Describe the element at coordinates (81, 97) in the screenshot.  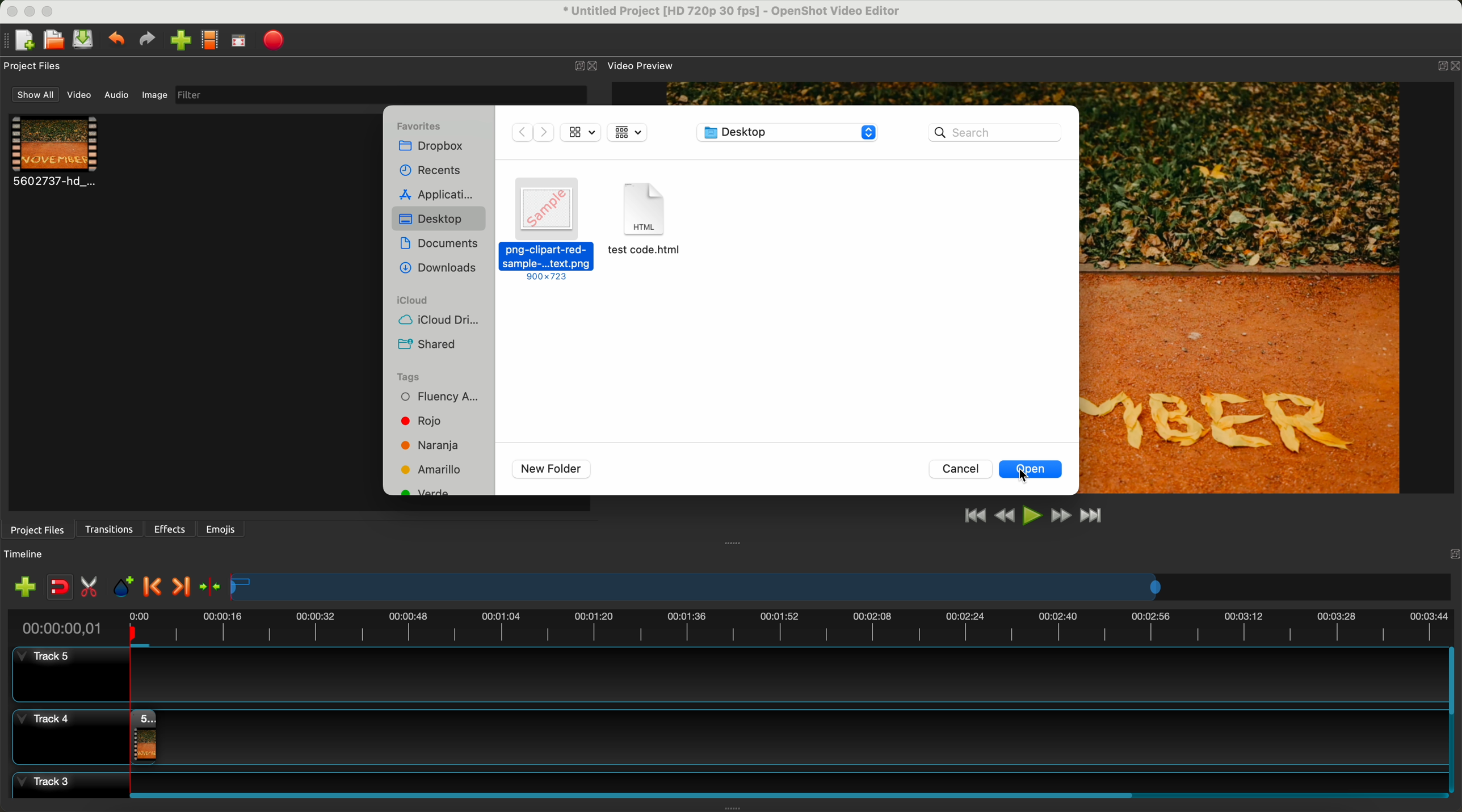
I see `video` at that location.